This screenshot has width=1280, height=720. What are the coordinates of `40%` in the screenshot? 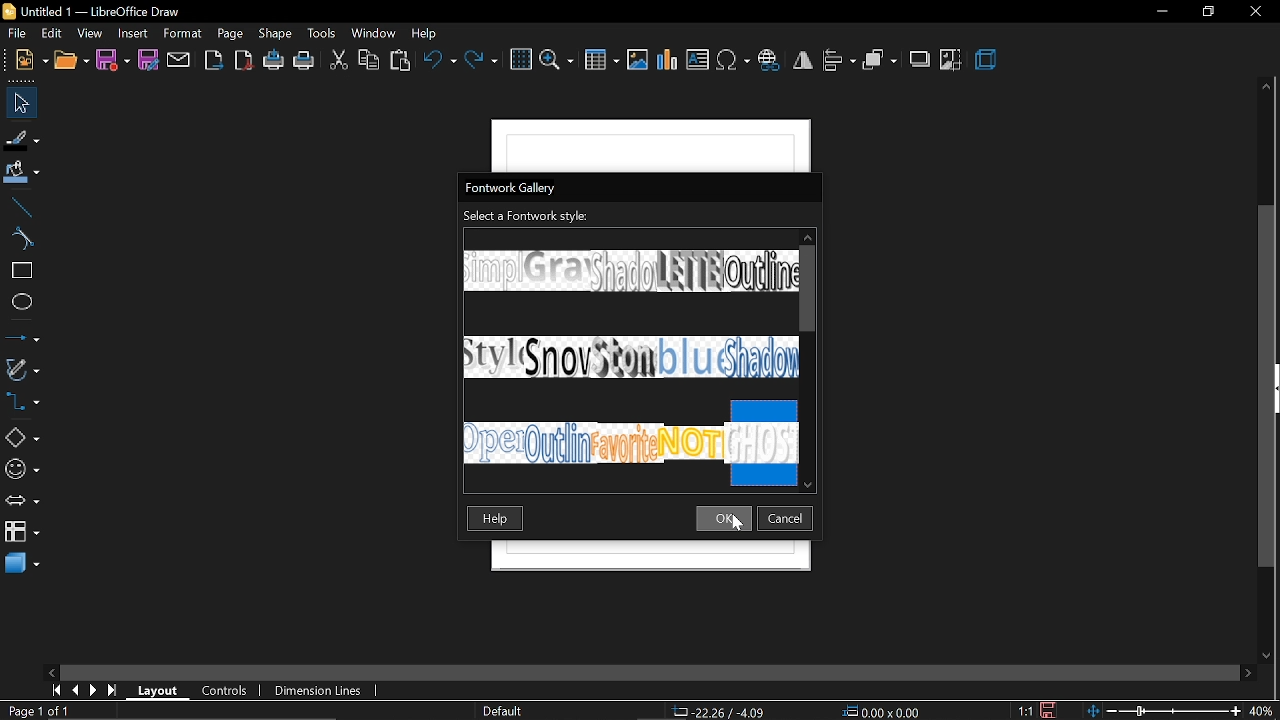 It's located at (1262, 711).